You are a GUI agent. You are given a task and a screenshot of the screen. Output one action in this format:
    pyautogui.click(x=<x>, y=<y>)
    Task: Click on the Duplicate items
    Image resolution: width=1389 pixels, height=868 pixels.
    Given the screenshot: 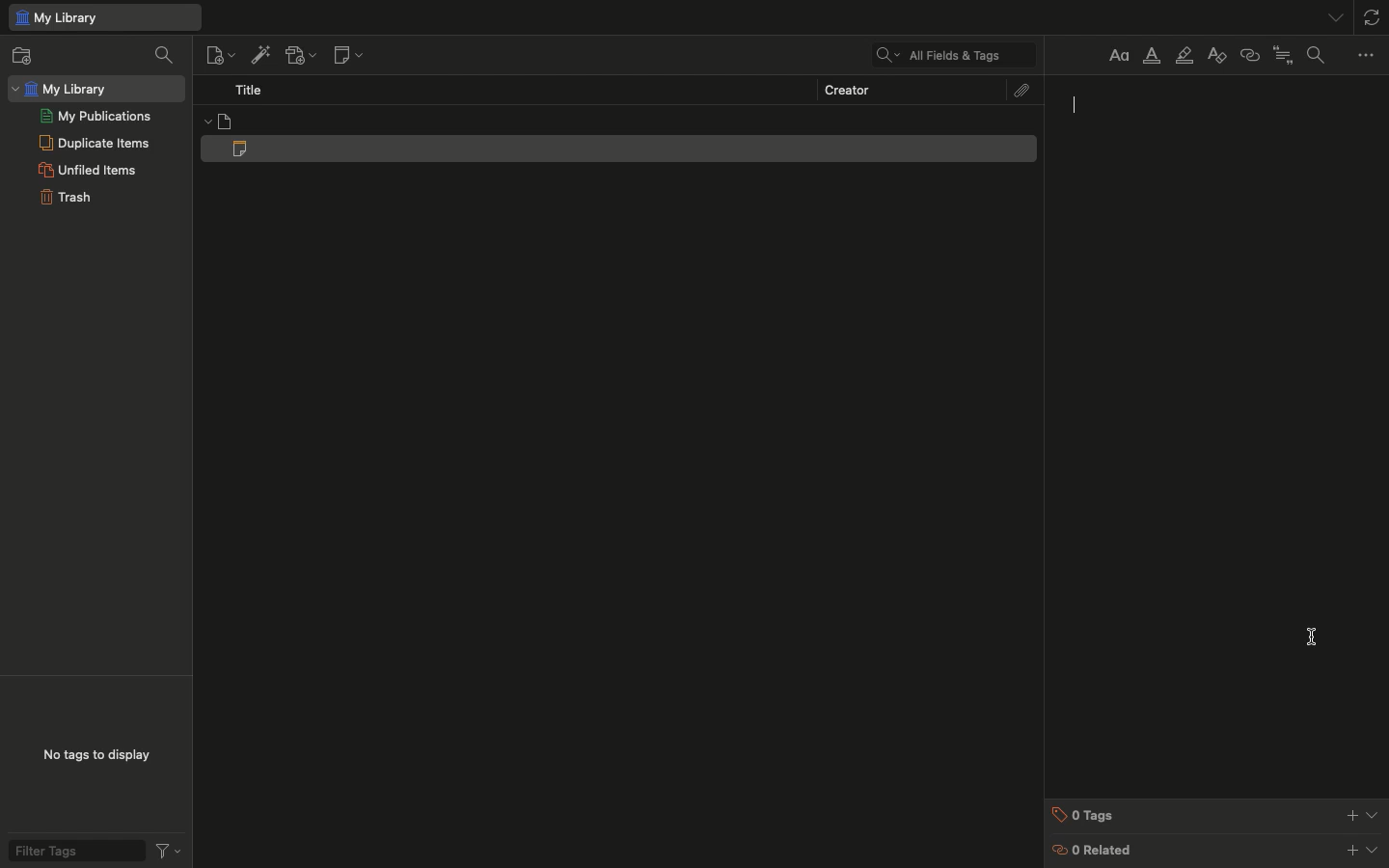 What is the action you would take?
    pyautogui.click(x=95, y=142)
    